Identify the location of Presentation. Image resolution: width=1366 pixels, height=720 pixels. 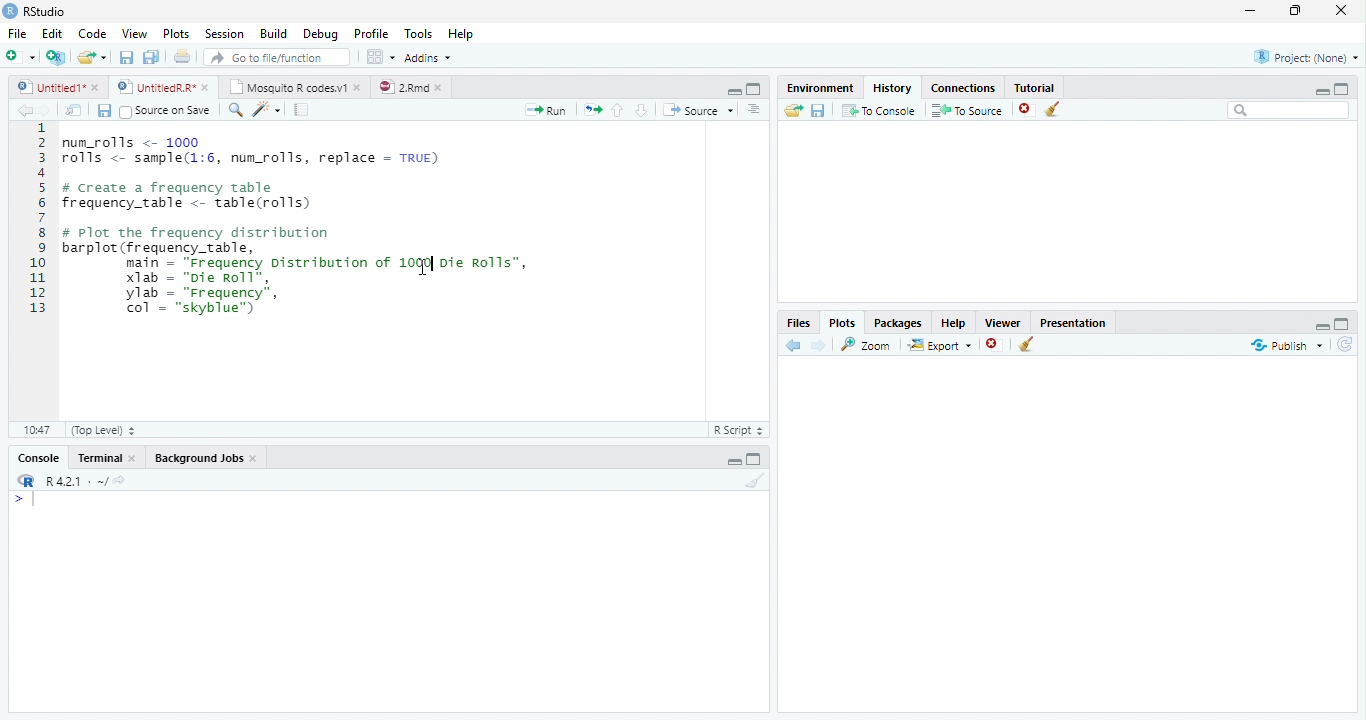
(1073, 322).